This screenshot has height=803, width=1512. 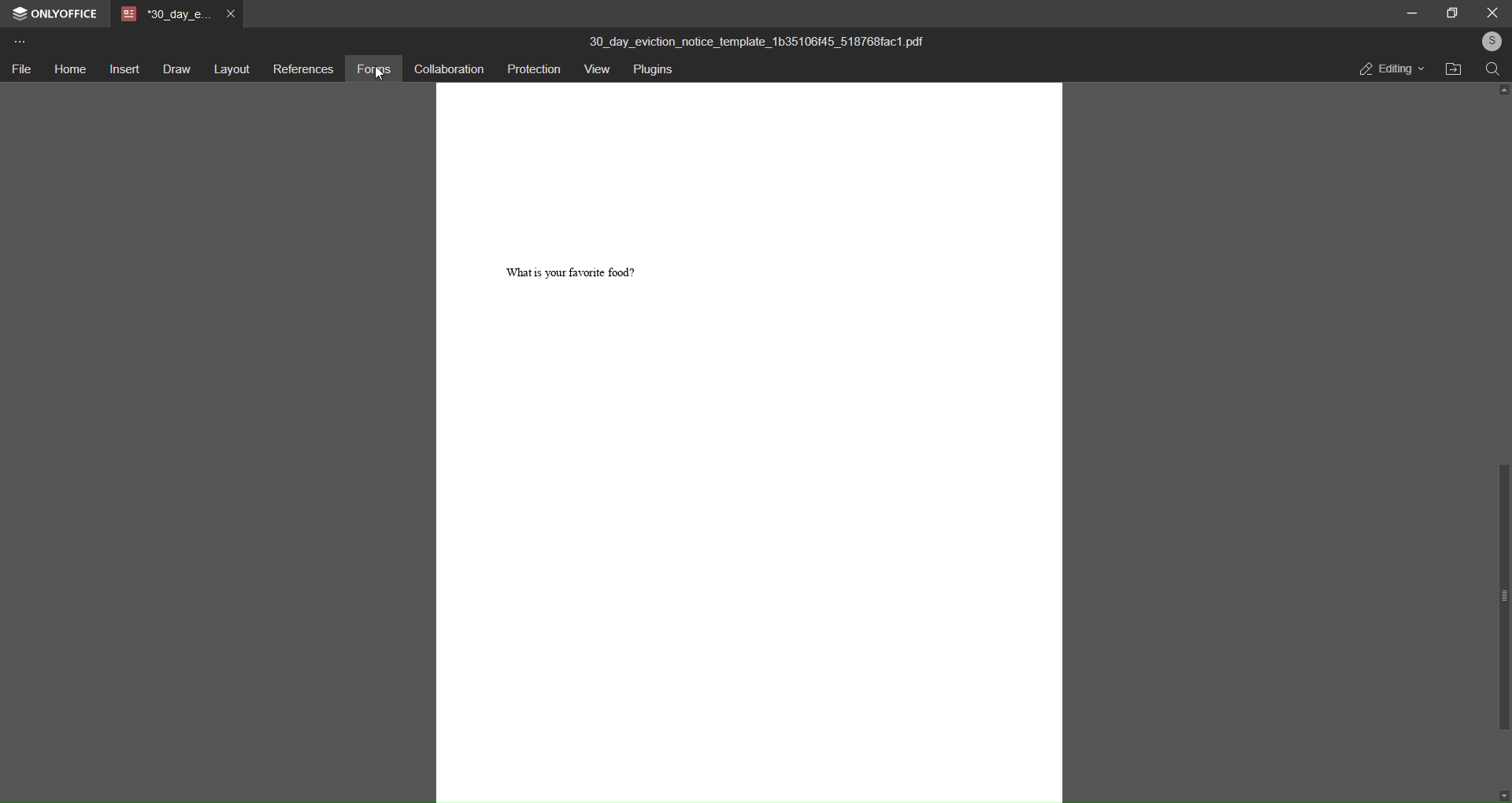 What do you see at coordinates (1493, 70) in the screenshot?
I see `search` at bounding box center [1493, 70].